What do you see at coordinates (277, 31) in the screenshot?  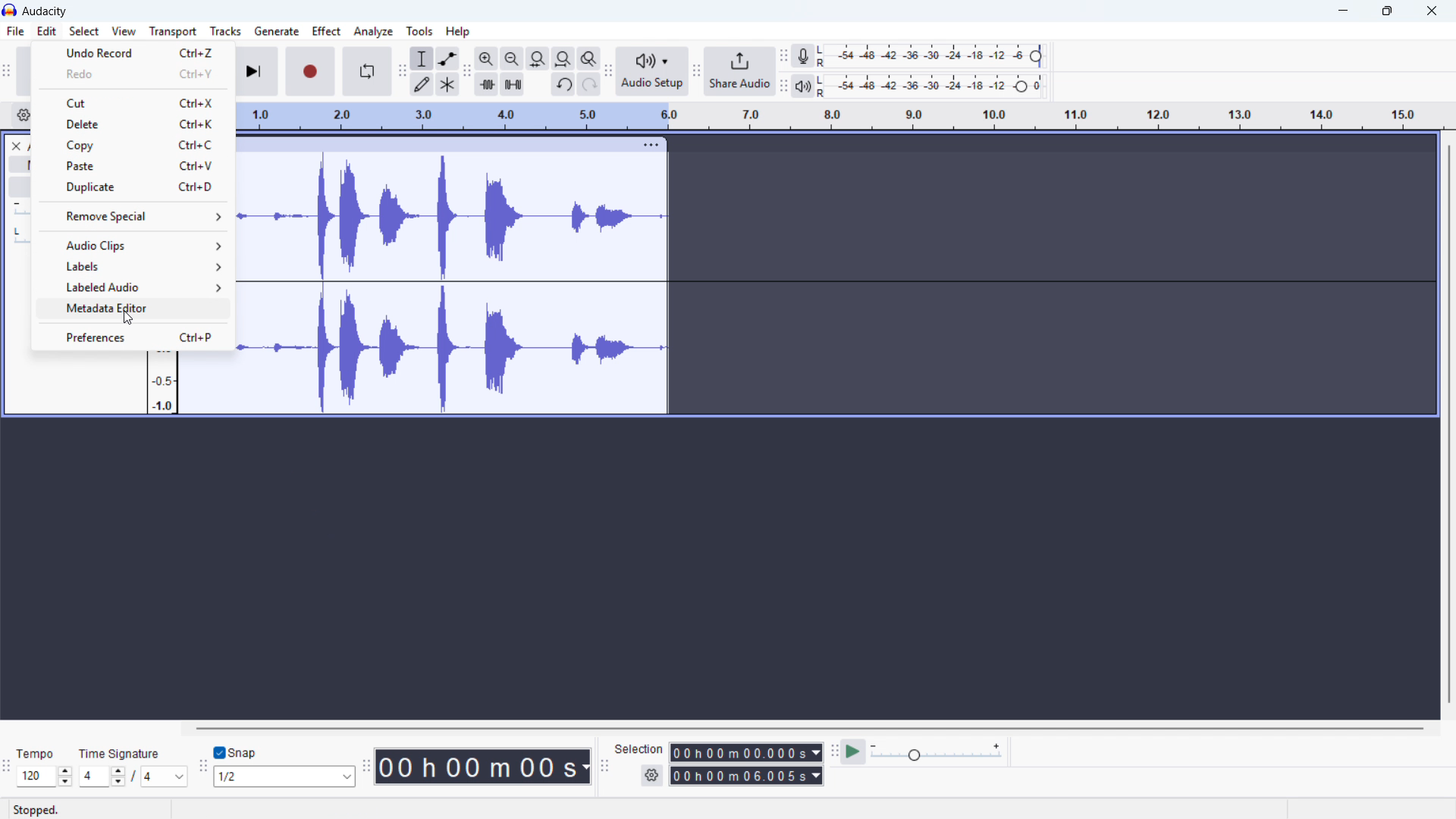 I see `generate` at bounding box center [277, 31].